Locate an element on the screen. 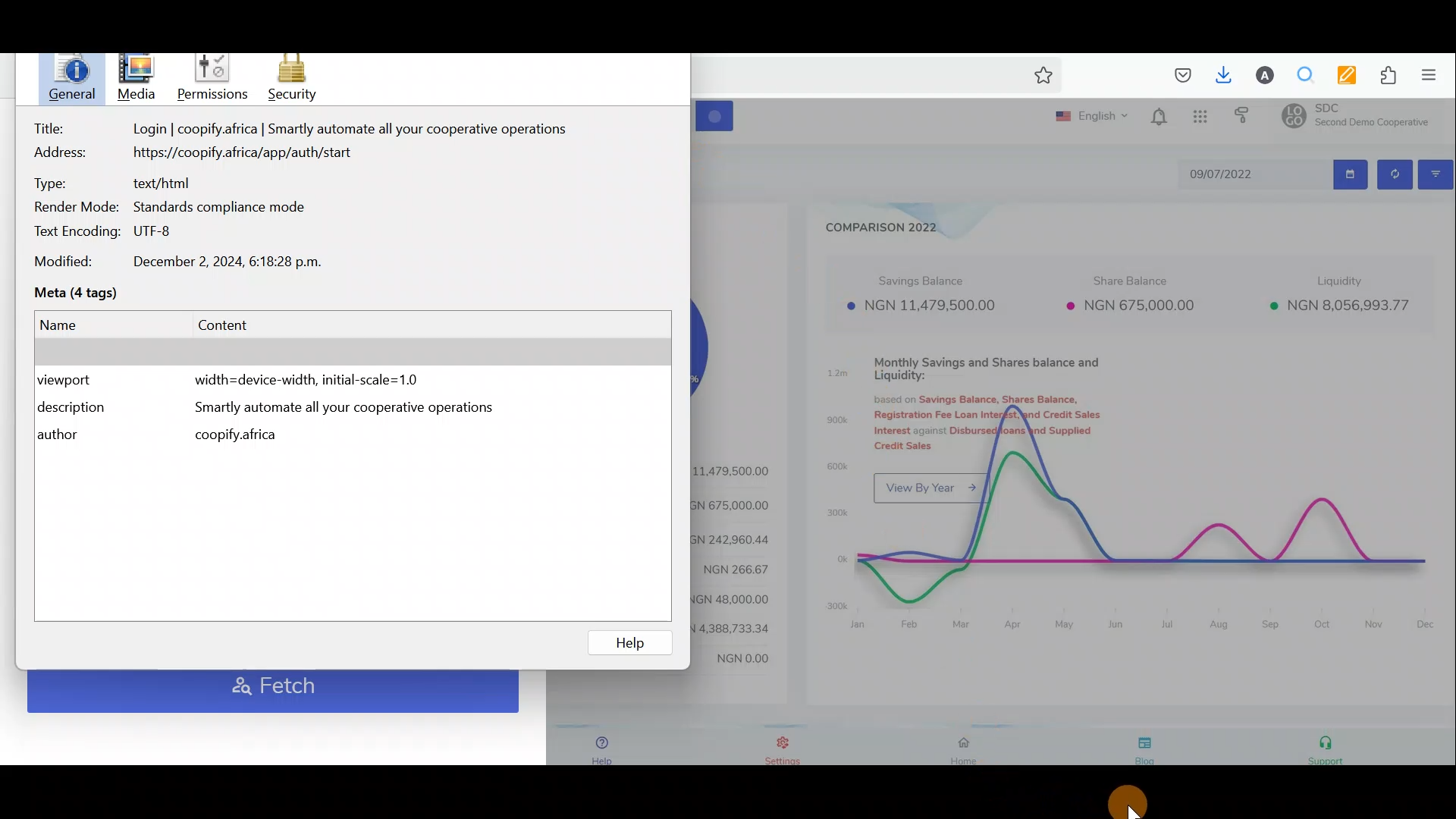  Image is located at coordinates (576, 245).